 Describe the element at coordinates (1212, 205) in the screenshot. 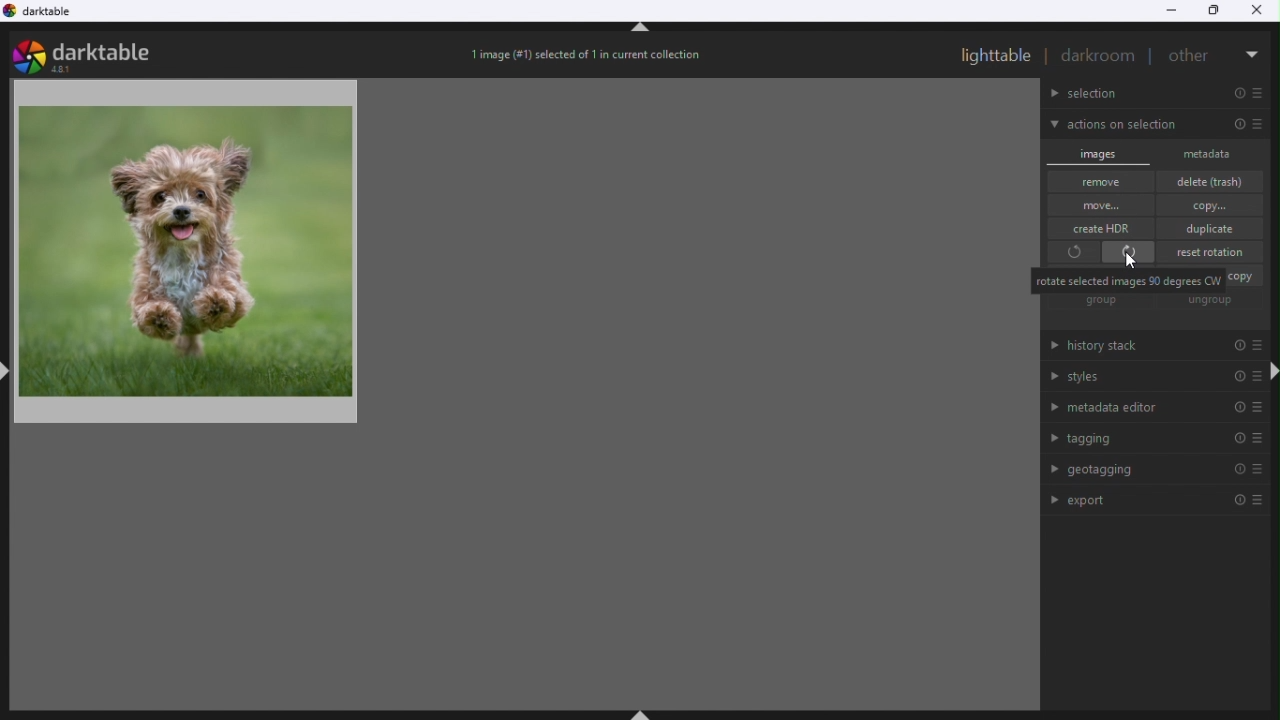

I see `copy` at that location.